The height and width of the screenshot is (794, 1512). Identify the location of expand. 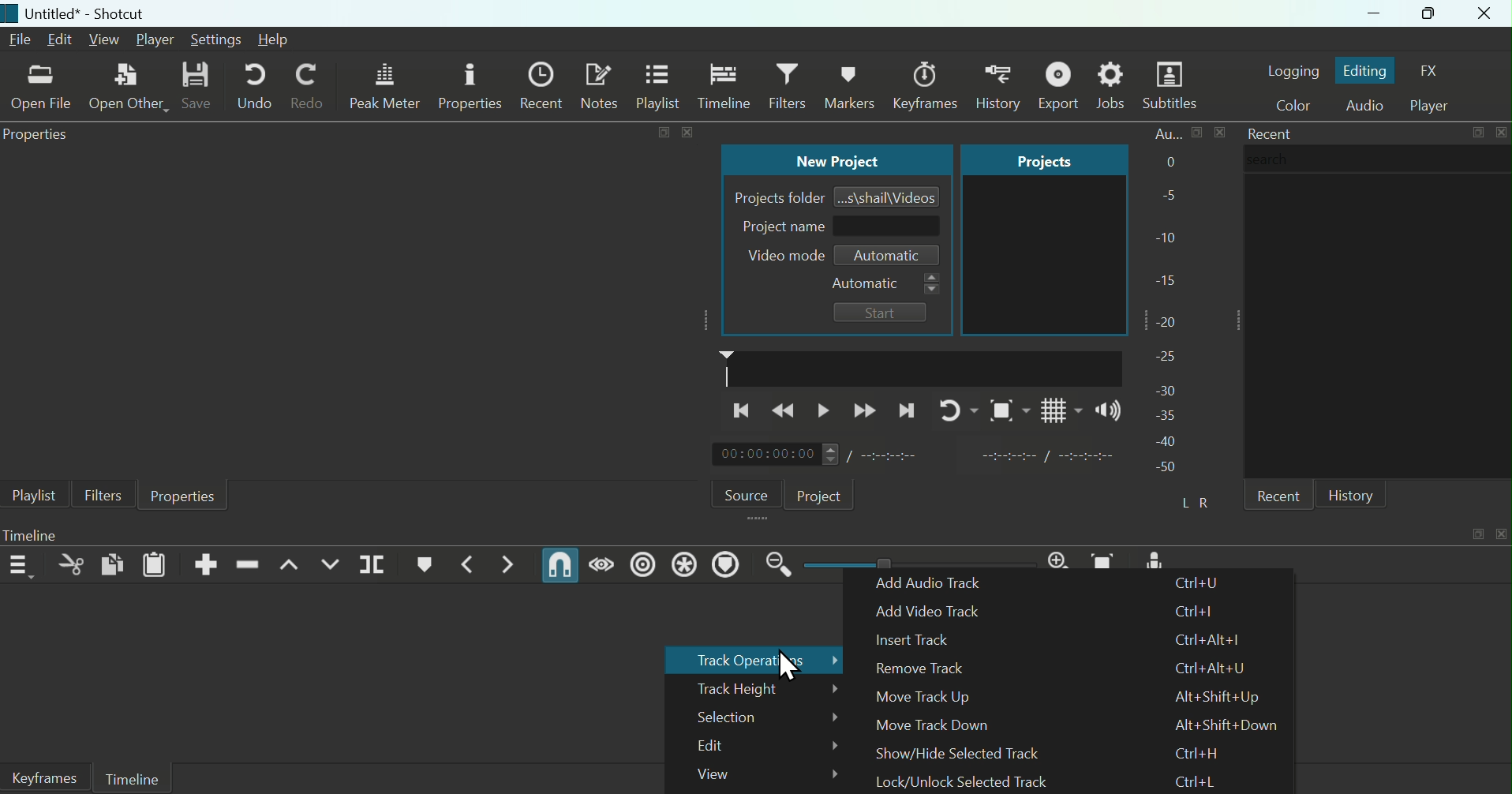
(1477, 133).